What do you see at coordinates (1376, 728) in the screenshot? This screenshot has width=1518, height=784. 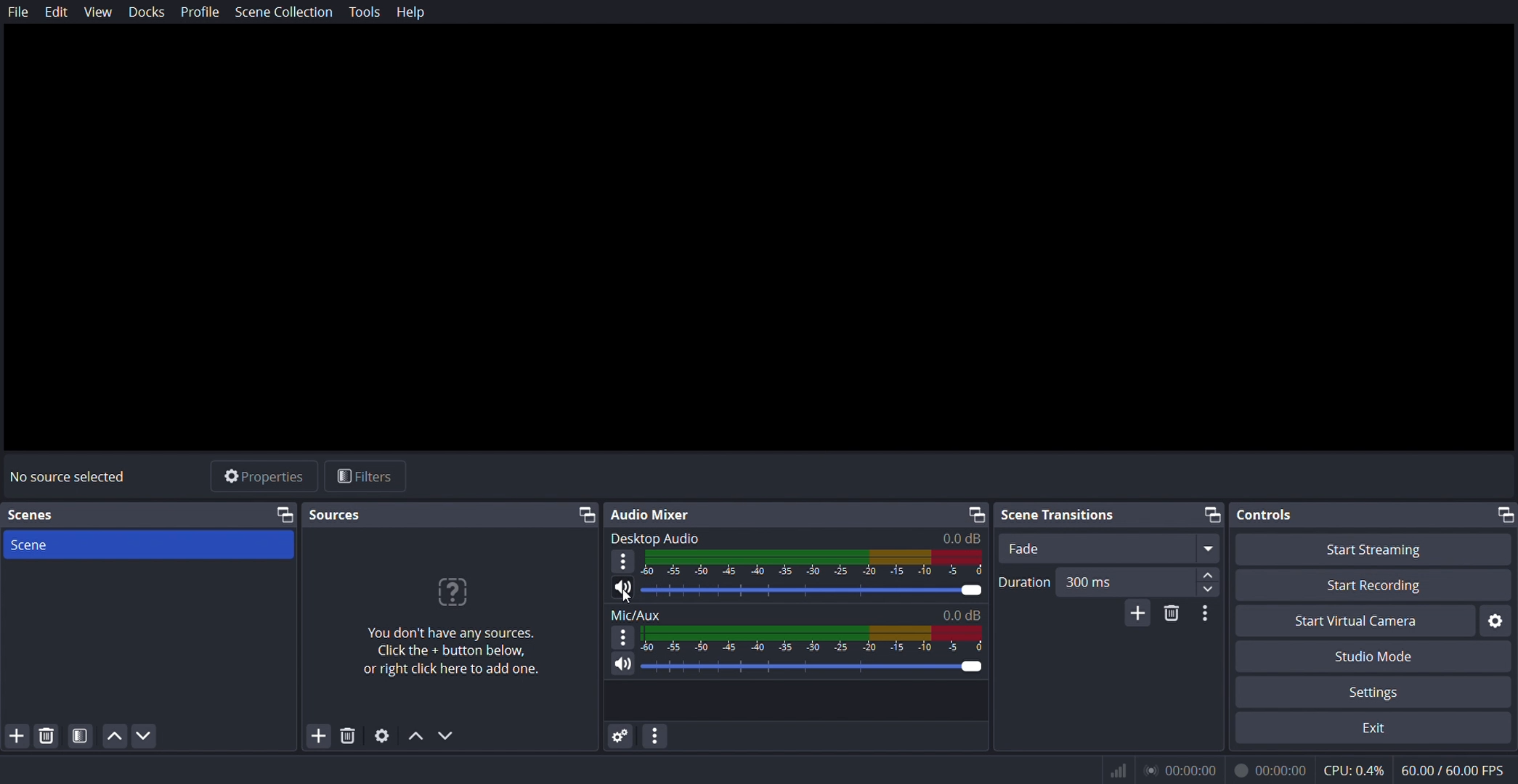 I see `exit` at bounding box center [1376, 728].